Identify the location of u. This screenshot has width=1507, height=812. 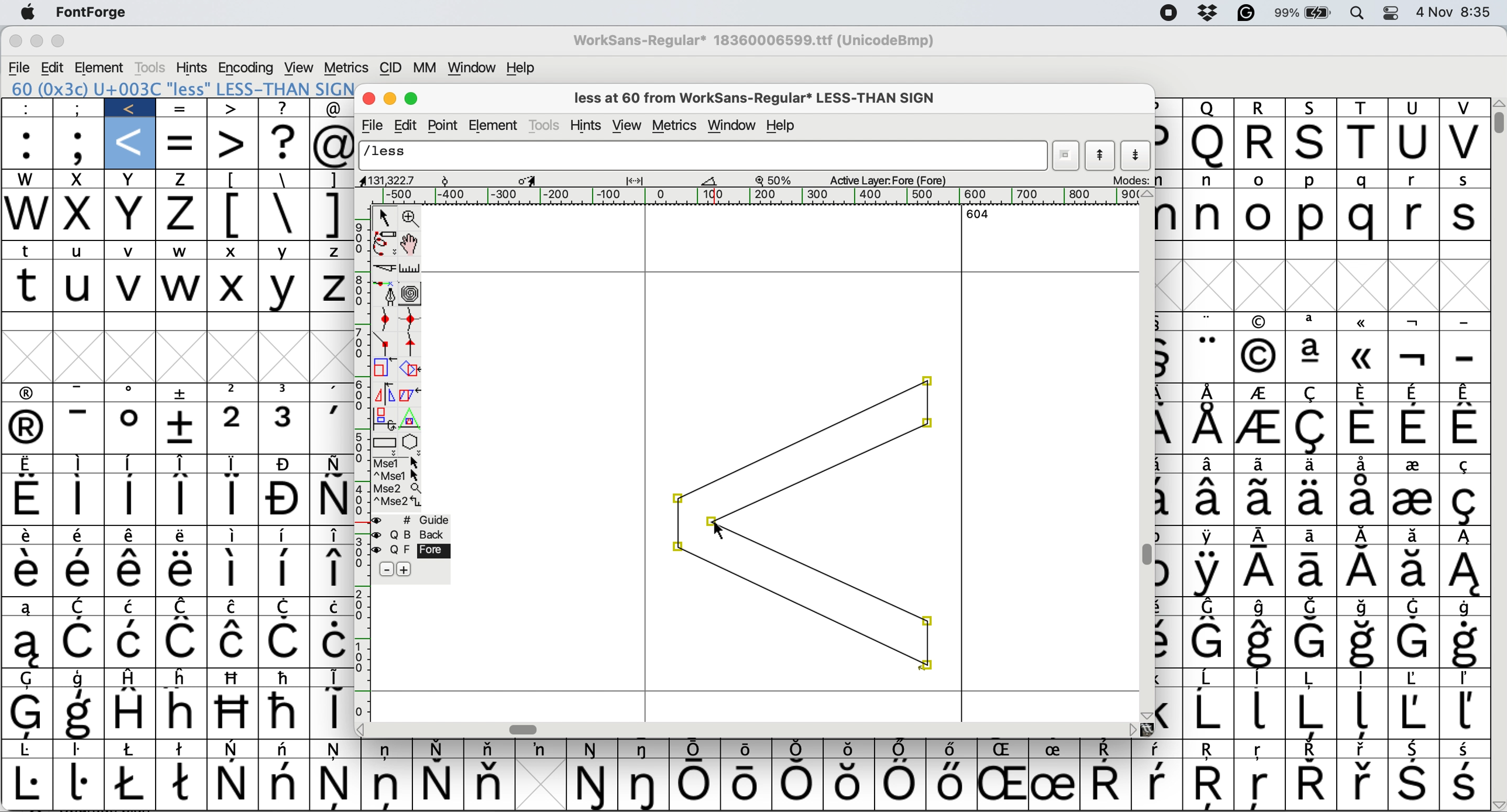
(1416, 108).